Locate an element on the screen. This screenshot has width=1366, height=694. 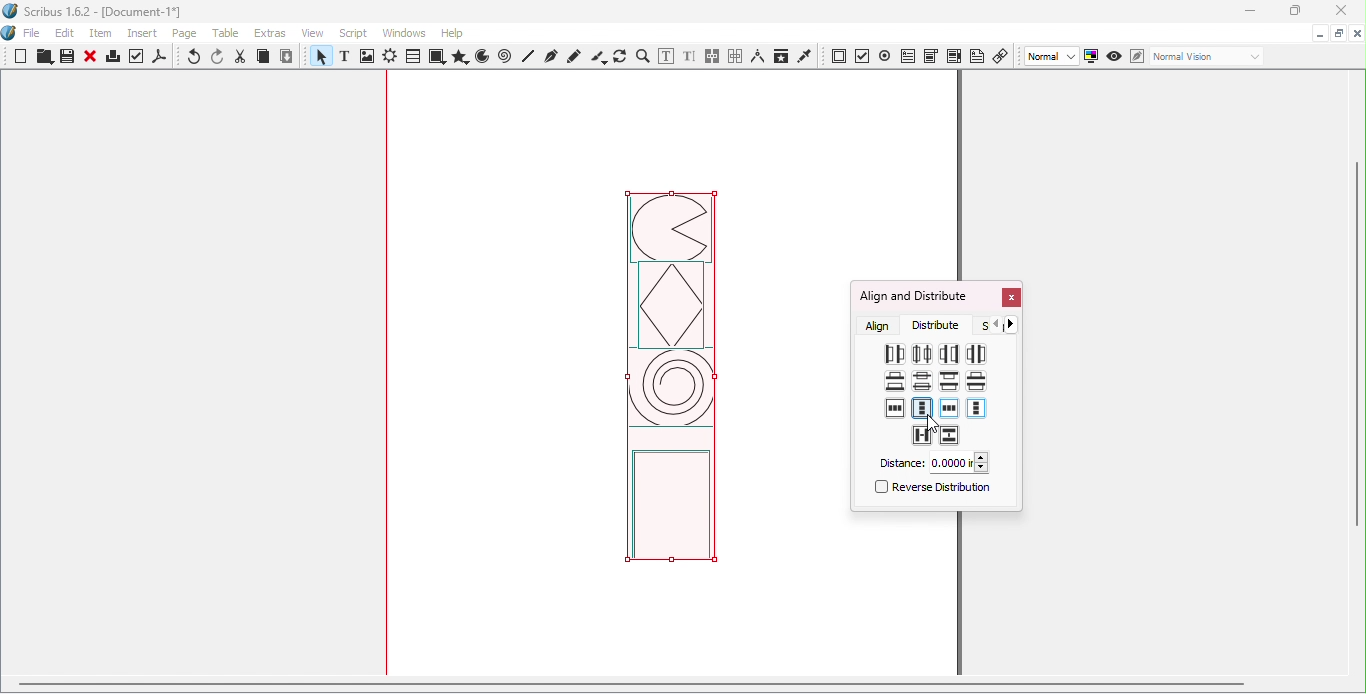
Preview mode is located at coordinates (1115, 57).